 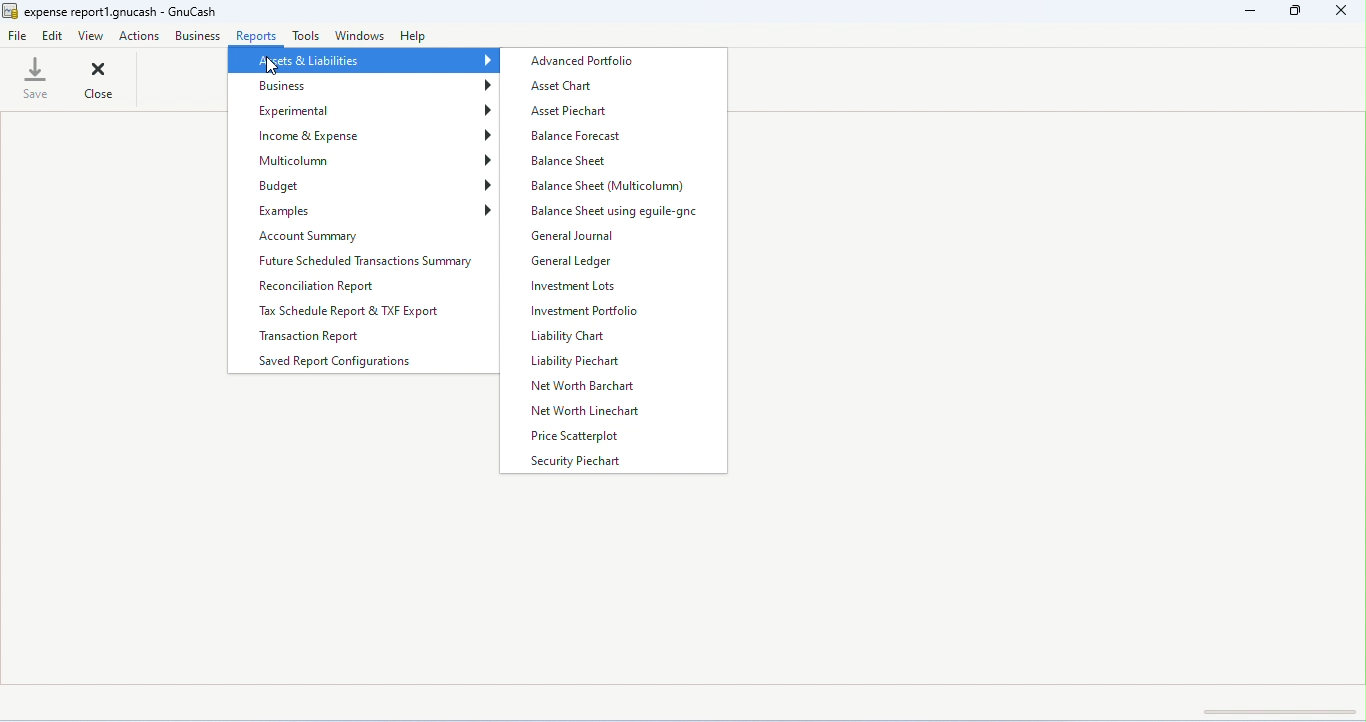 What do you see at coordinates (365, 161) in the screenshot?
I see `multicolumn` at bounding box center [365, 161].